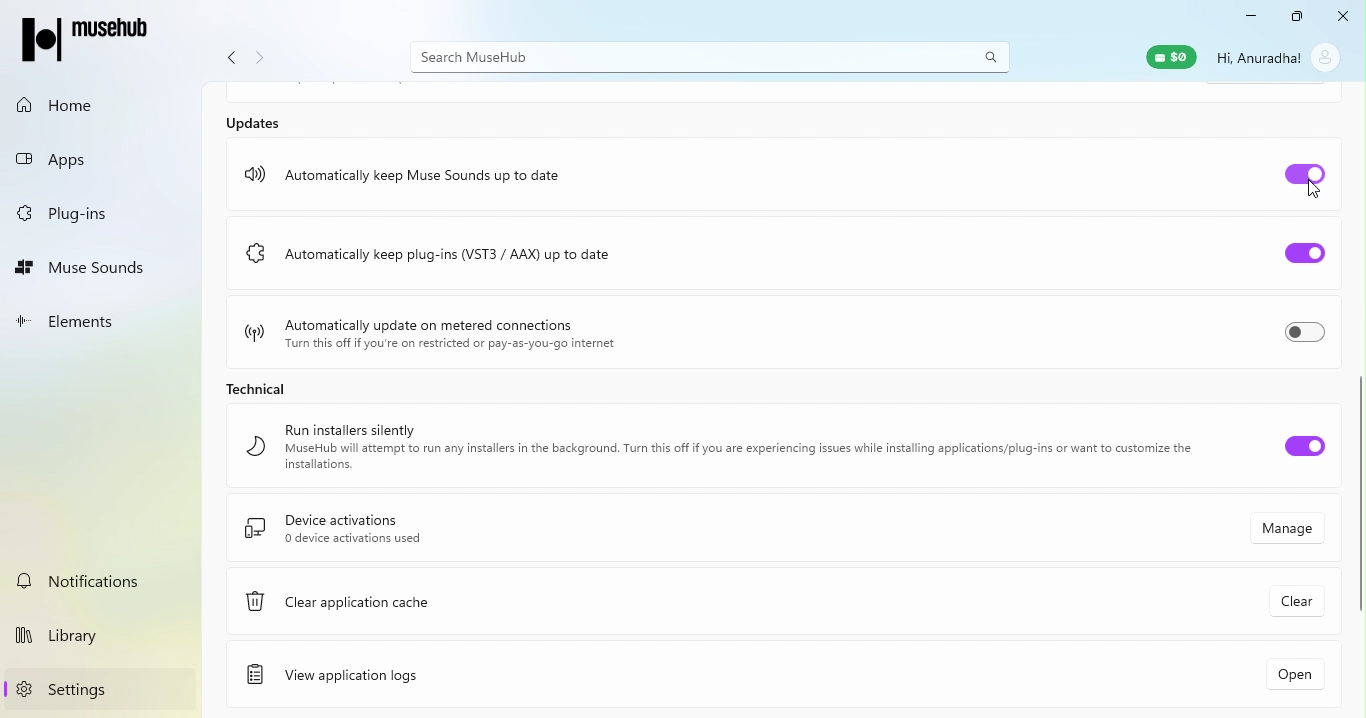  What do you see at coordinates (709, 447) in the screenshot?
I see `Run installer silently` at bounding box center [709, 447].